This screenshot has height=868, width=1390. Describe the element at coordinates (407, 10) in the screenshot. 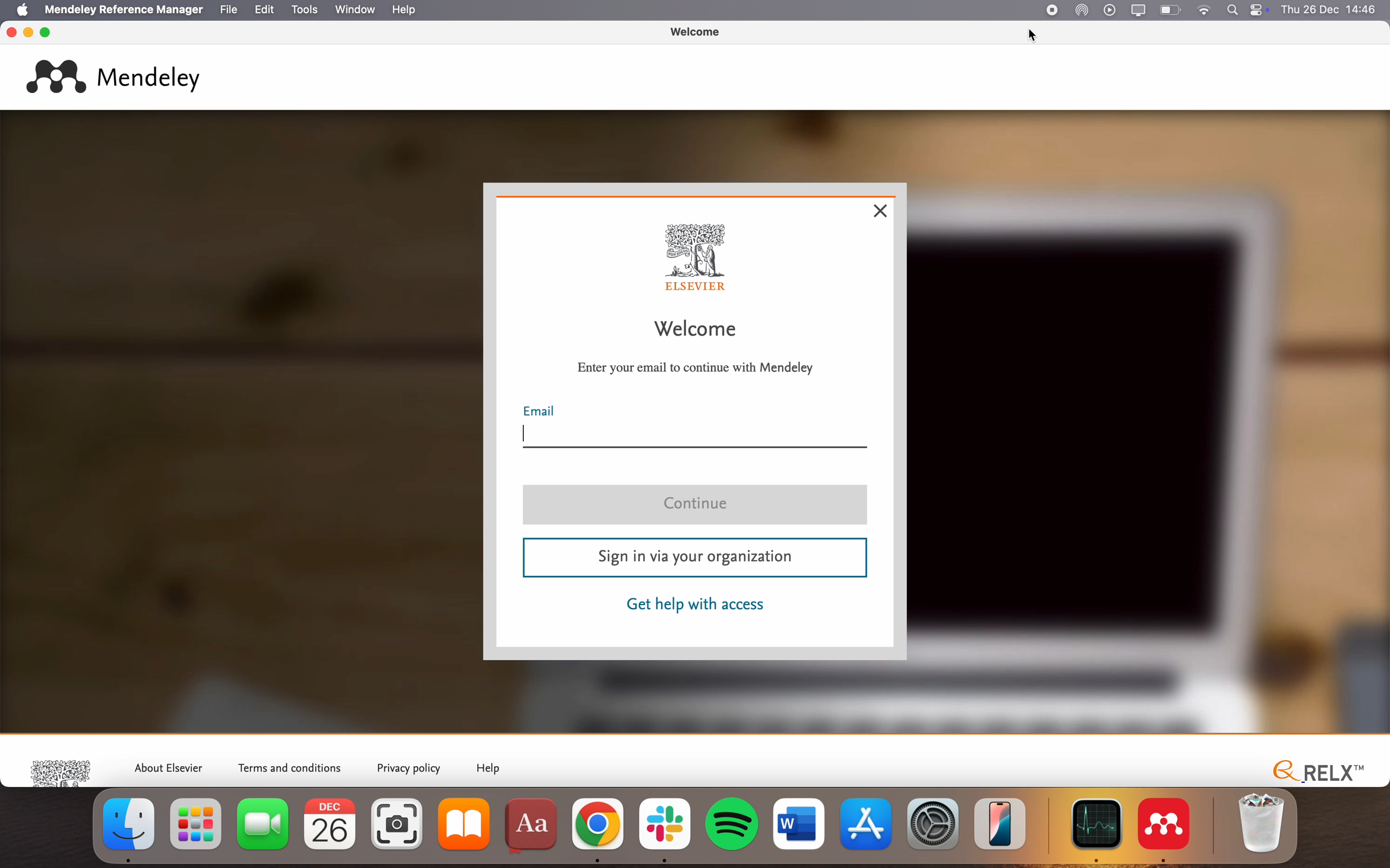

I see `click on help` at that location.